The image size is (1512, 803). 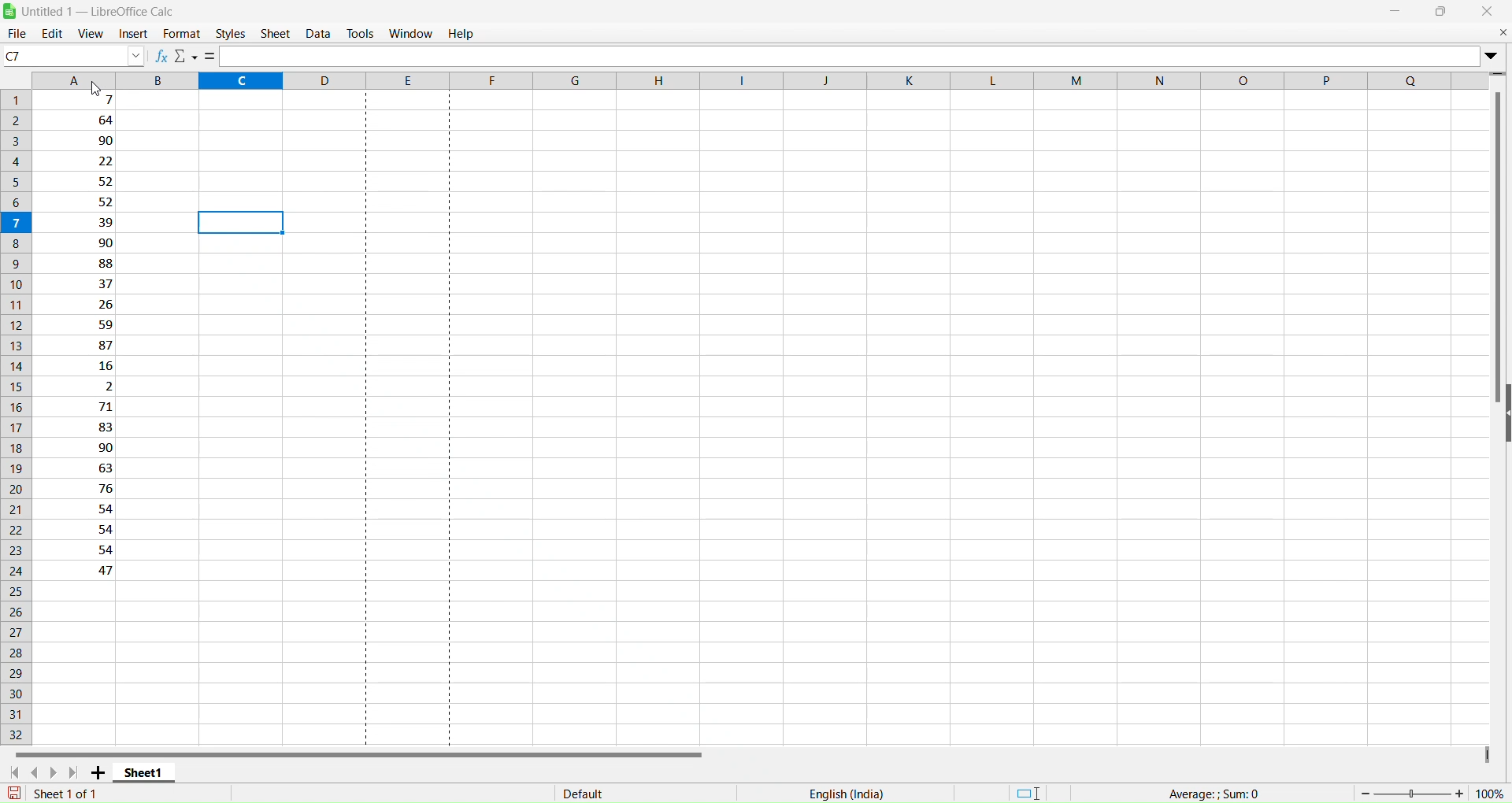 I want to click on First, so click(x=15, y=772).